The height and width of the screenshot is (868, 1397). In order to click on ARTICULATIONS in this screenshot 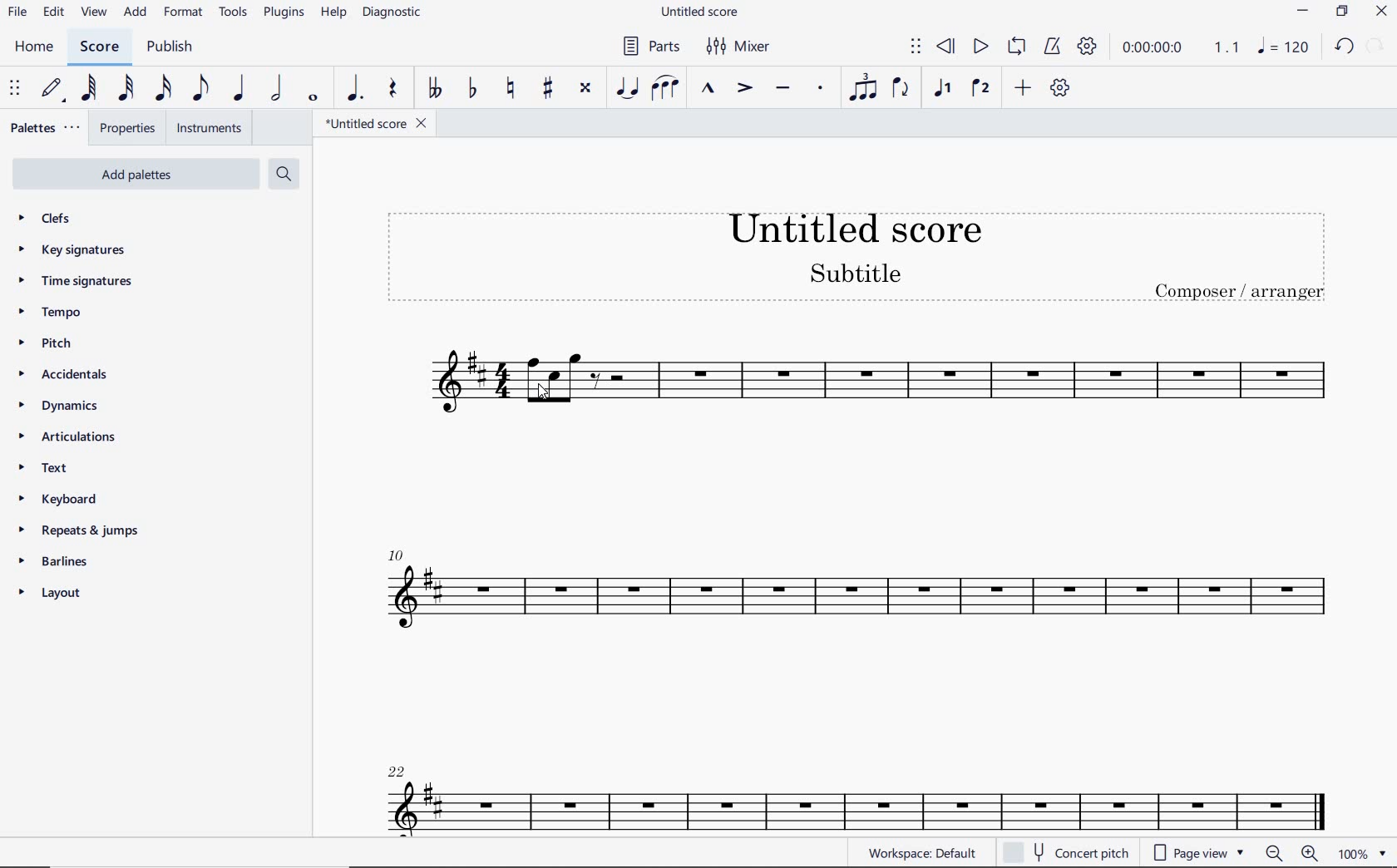, I will do `click(67, 439)`.